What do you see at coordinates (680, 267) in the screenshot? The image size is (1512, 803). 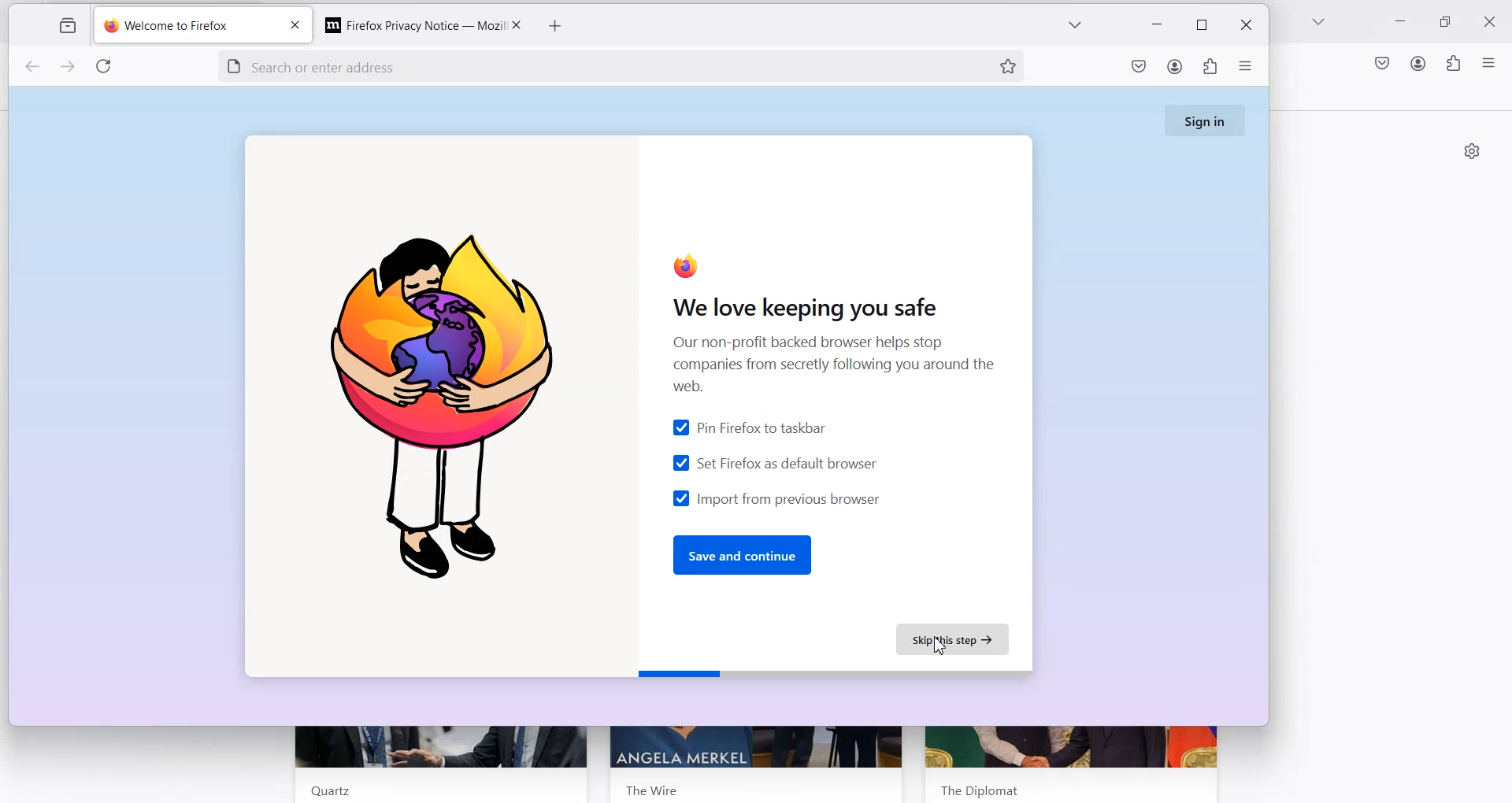 I see `firefox logo` at bounding box center [680, 267].